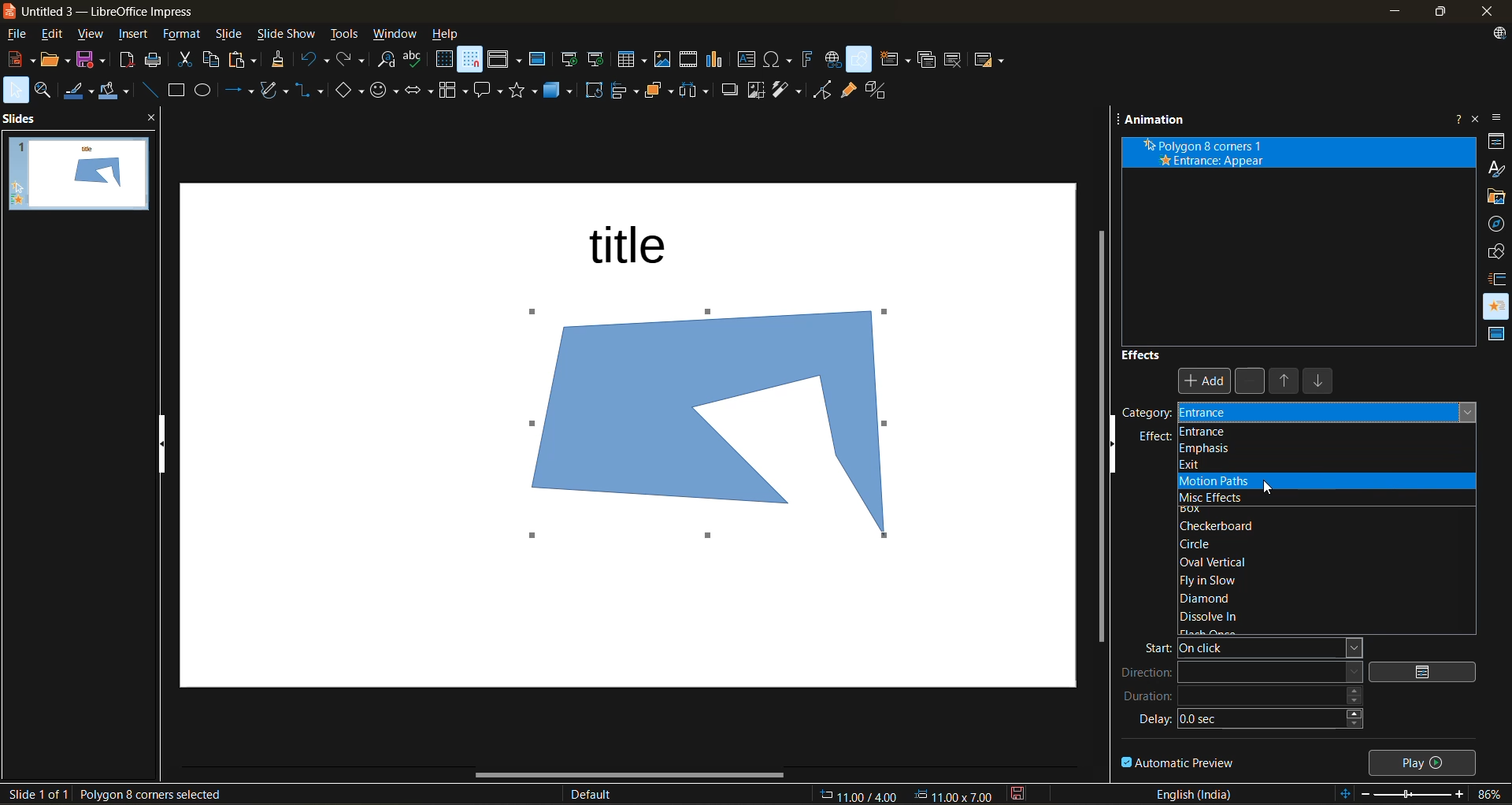 This screenshot has height=805, width=1512. I want to click on zoom and pan, so click(50, 90).